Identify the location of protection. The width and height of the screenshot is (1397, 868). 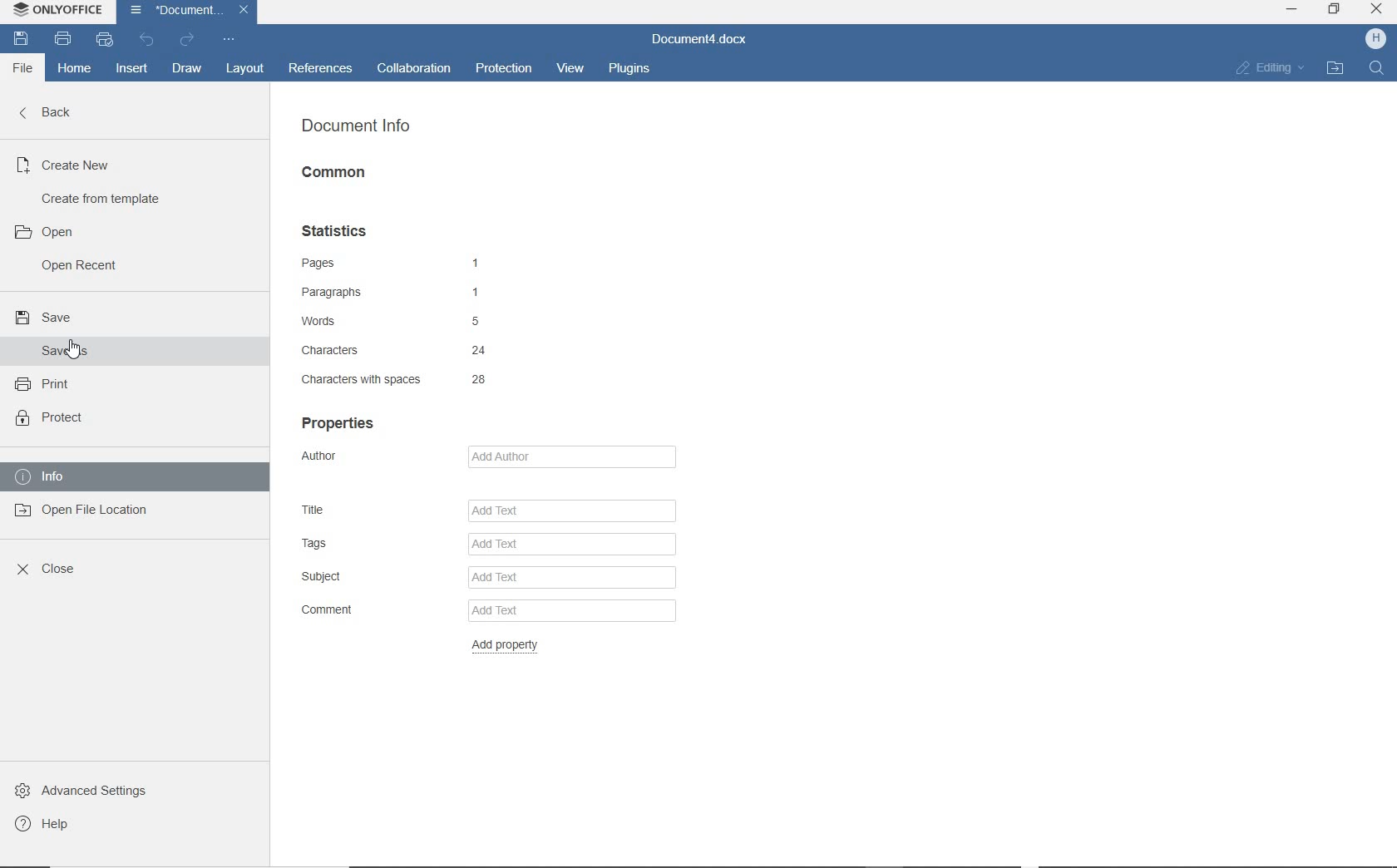
(504, 66).